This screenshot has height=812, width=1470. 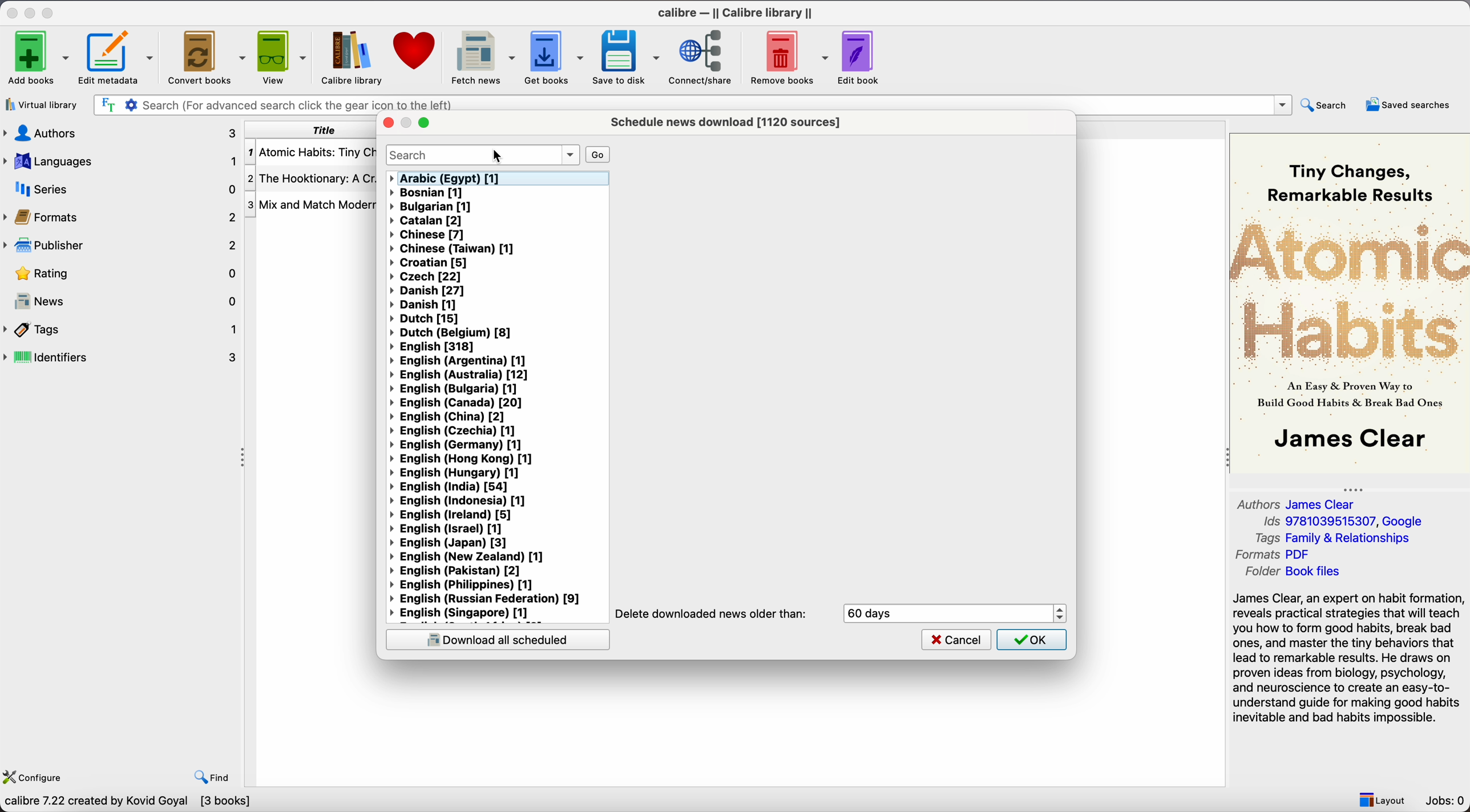 I want to click on Danish [27], so click(x=431, y=292).